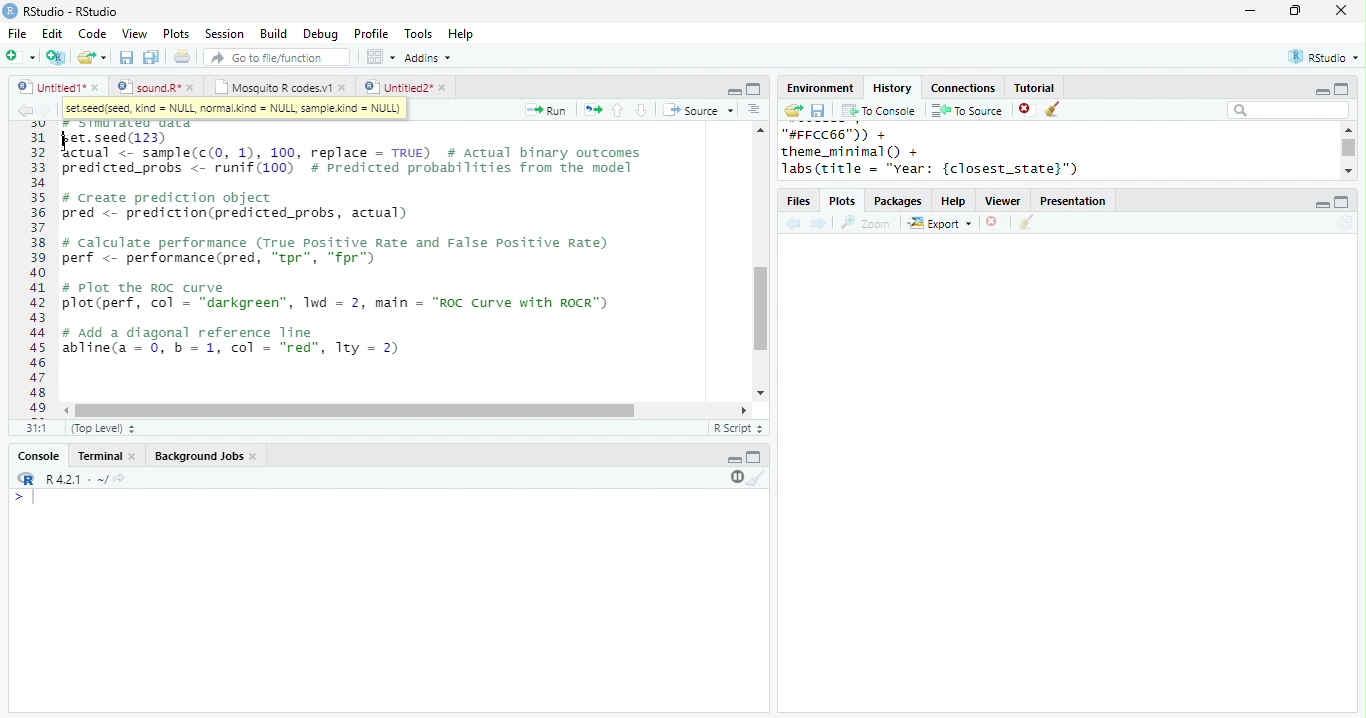  What do you see at coordinates (844, 202) in the screenshot?
I see `Plots` at bounding box center [844, 202].